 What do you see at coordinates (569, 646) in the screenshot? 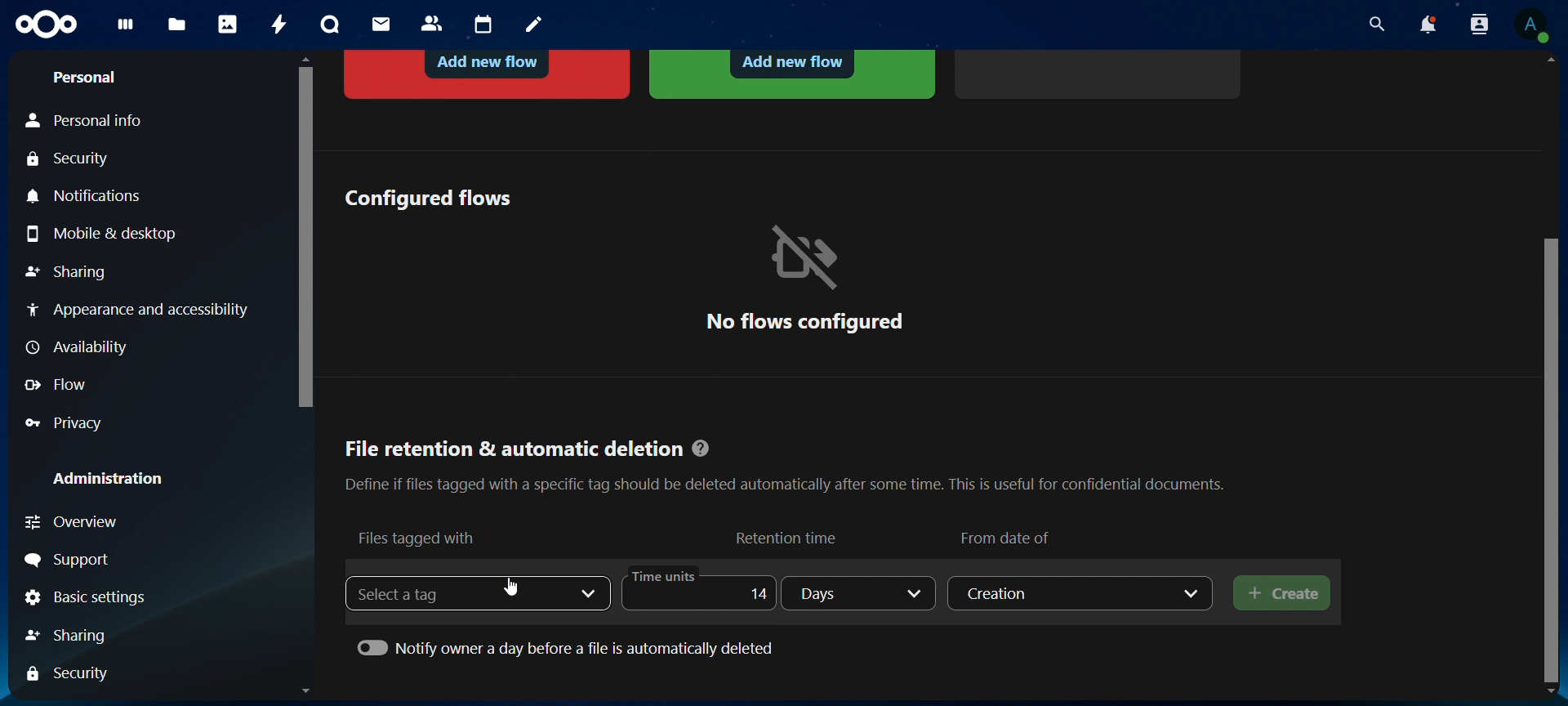
I see `notify owner a day before a file is automatically deleted` at bounding box center [569, 646].